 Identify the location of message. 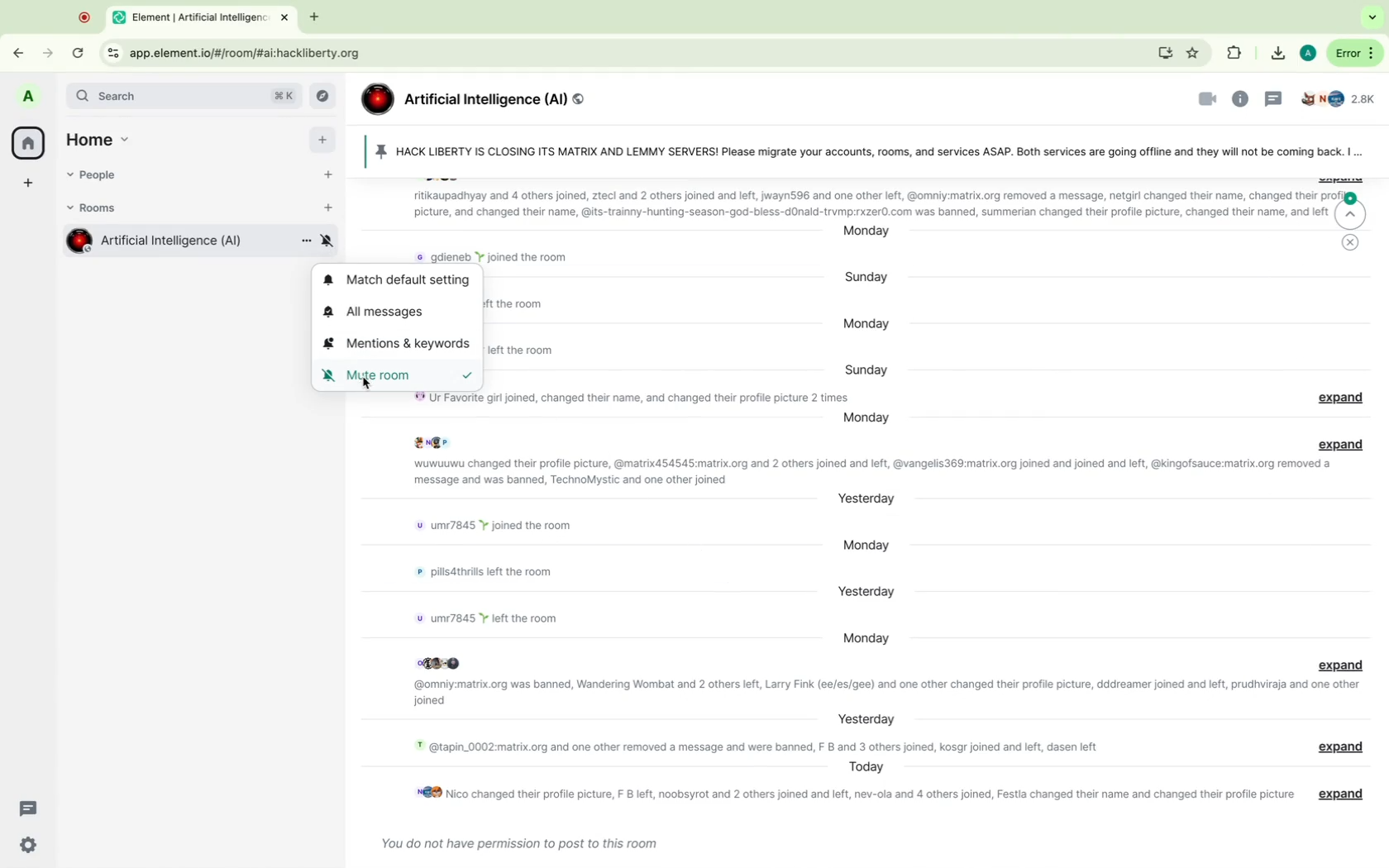
(1339, 794).